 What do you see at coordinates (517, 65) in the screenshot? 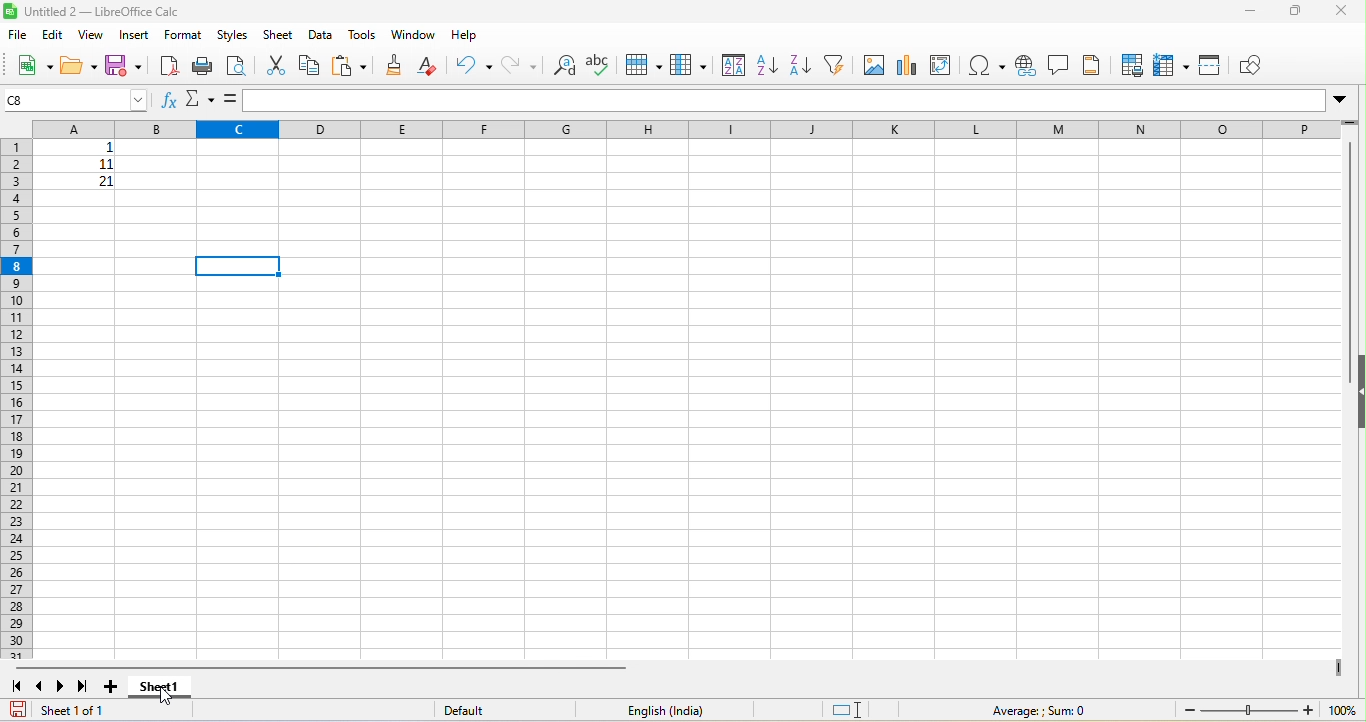
I see `redo` at bounding box center [517, 65].